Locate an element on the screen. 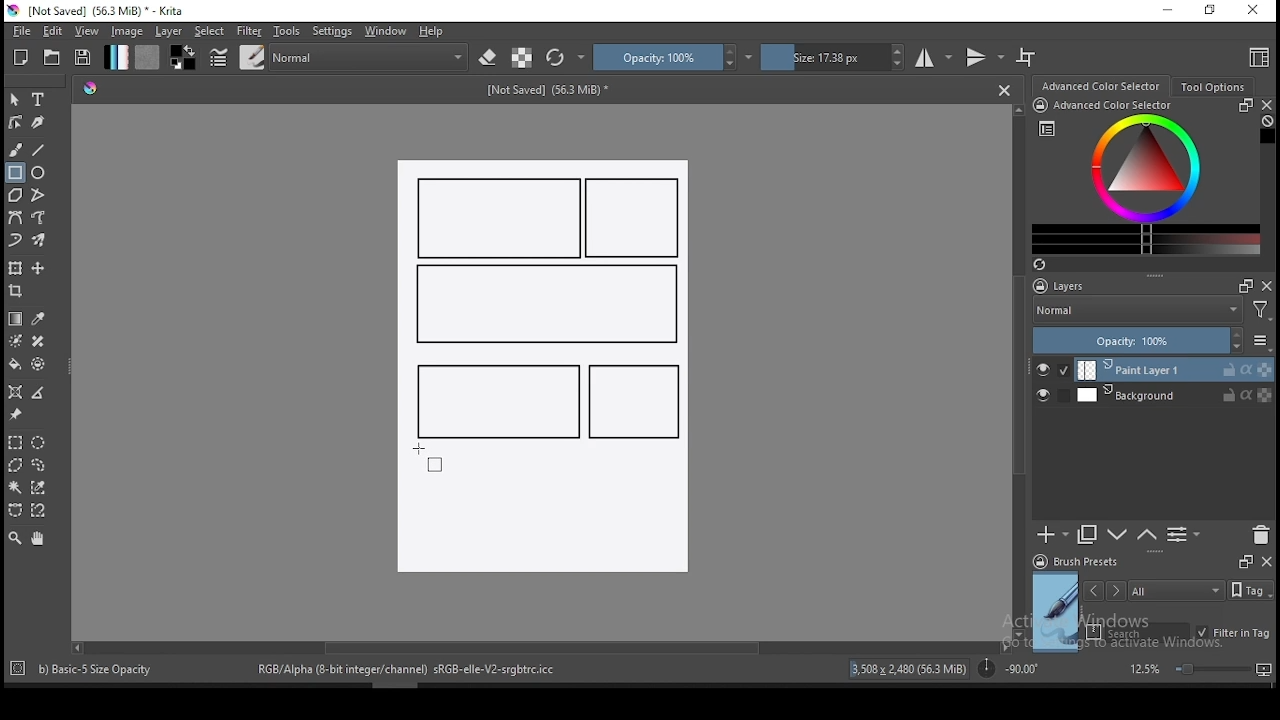 Image resolution: width=1280 pixels, height=720 pixels. zoom tool is located at coordinates (15, 537).